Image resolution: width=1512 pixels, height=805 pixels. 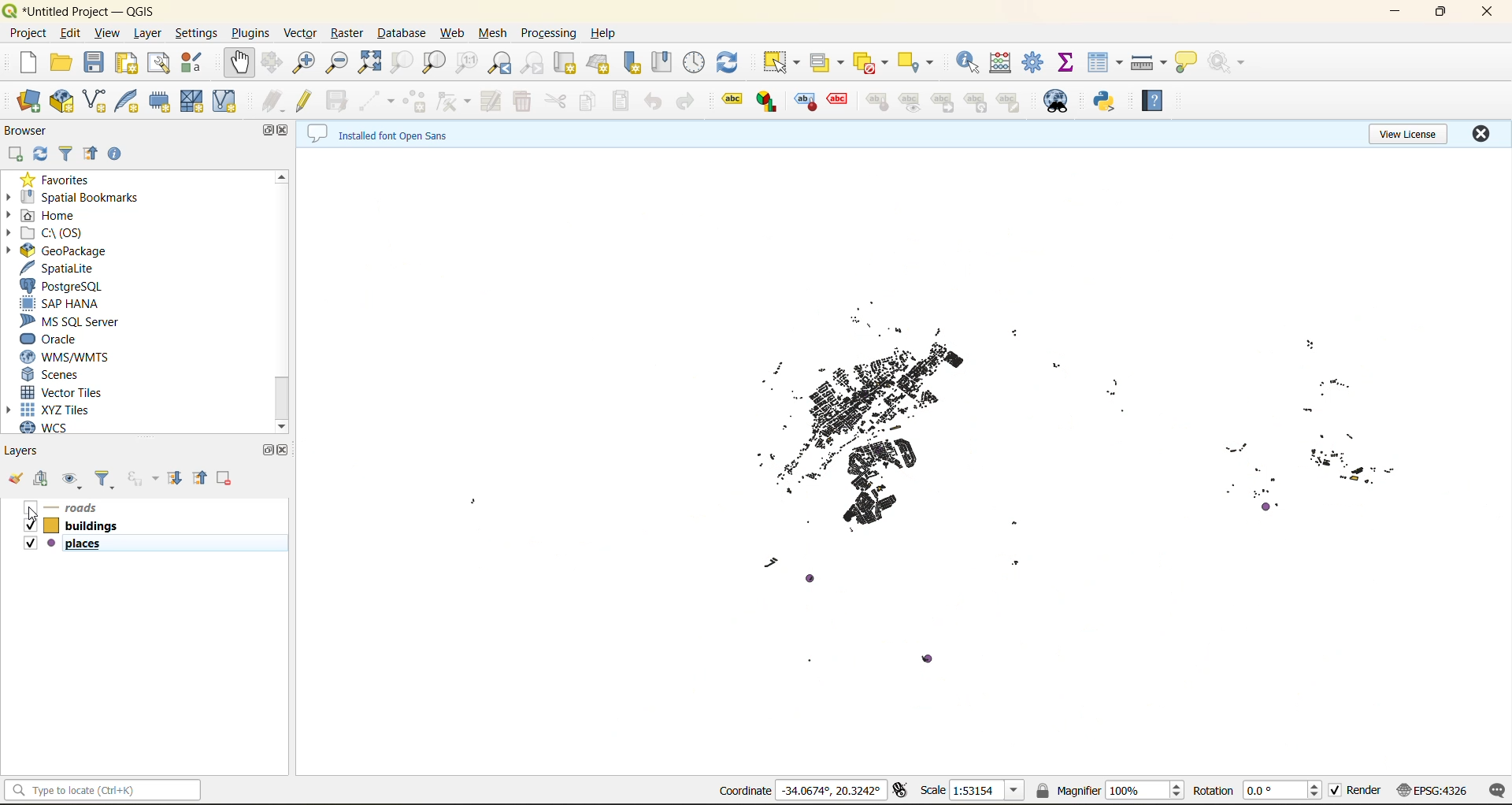 What do you see at coordinates (943, 104) in the screenshot?
I see `labels toolbar 7` at bounding box center [943, 104].